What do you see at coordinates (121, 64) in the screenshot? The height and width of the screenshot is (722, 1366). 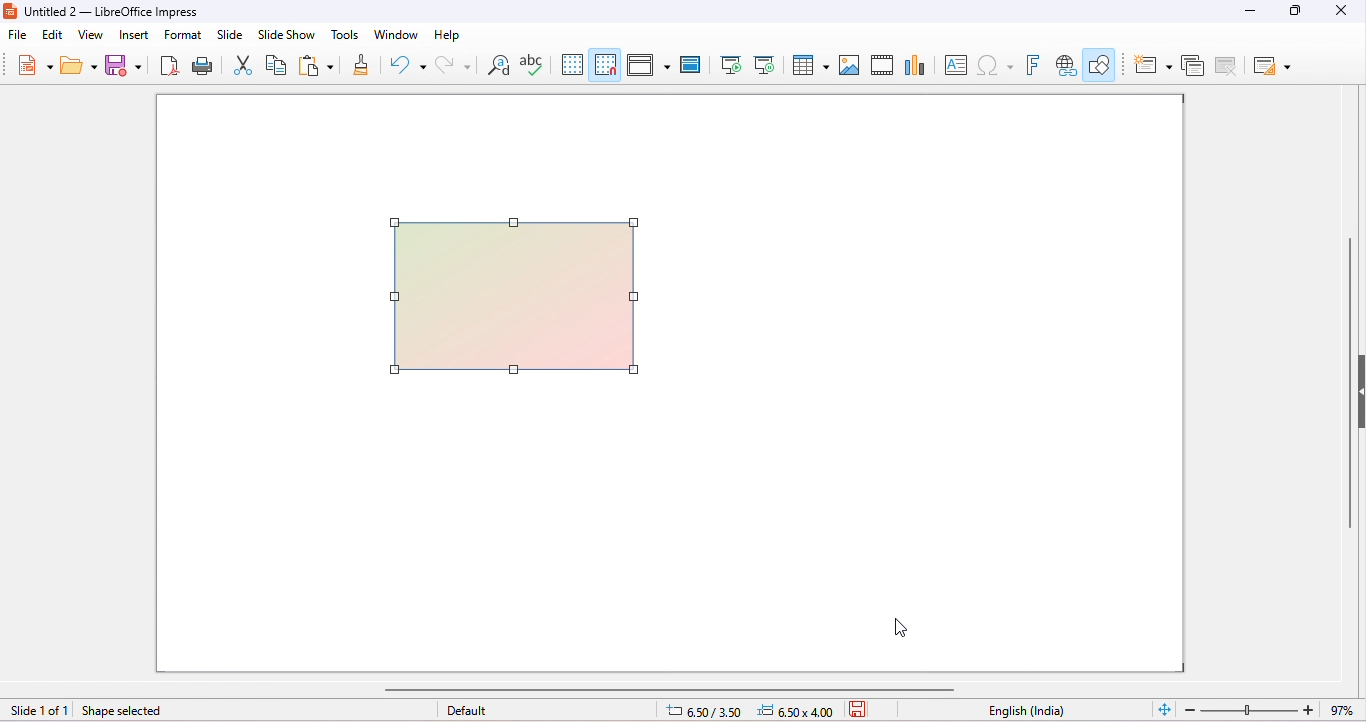 I see `save` at bounding box center [121, 64].